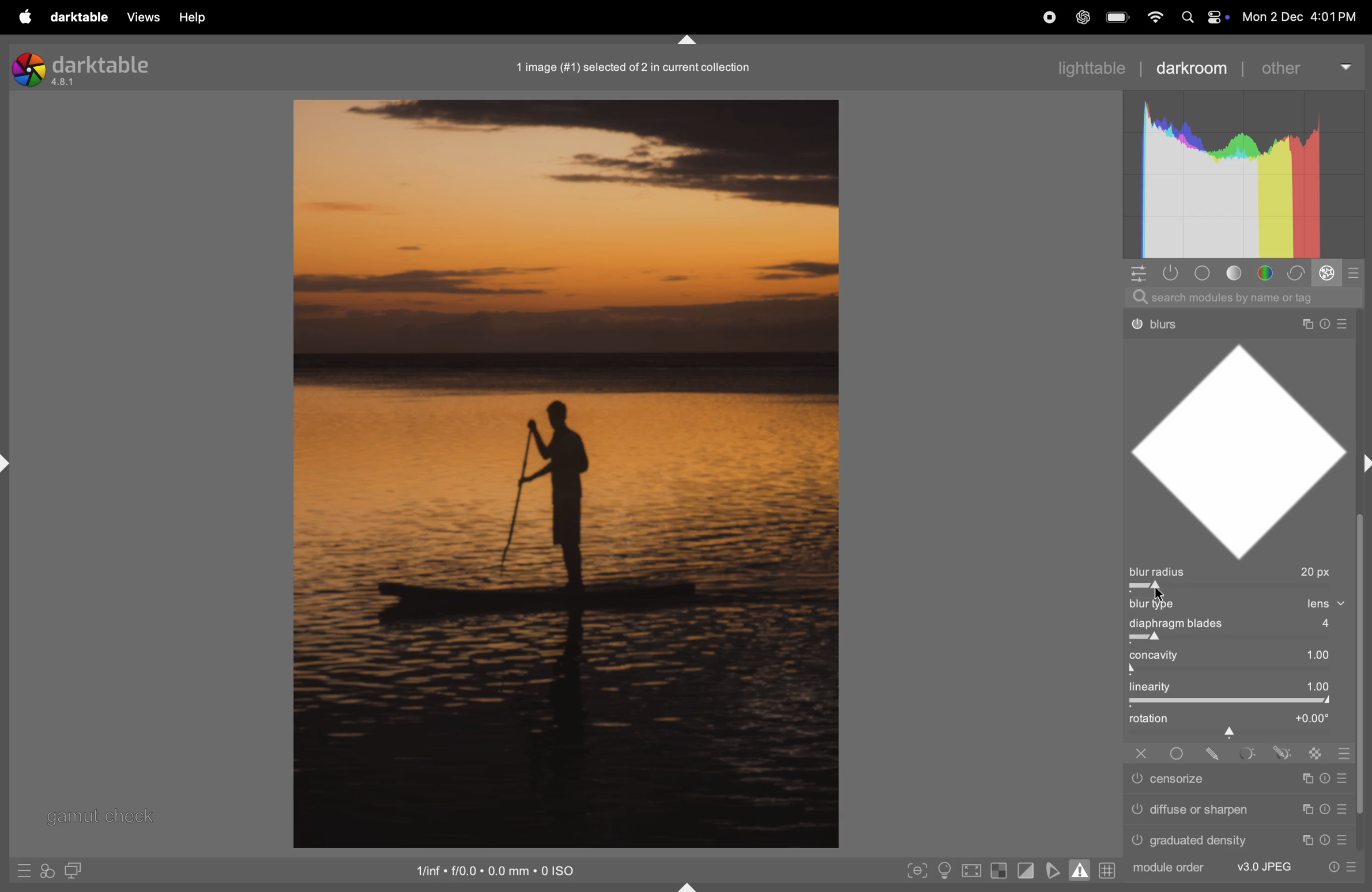 The image size is (1372, 892). I want to click on quick acess to panel, so click(1136, 275).